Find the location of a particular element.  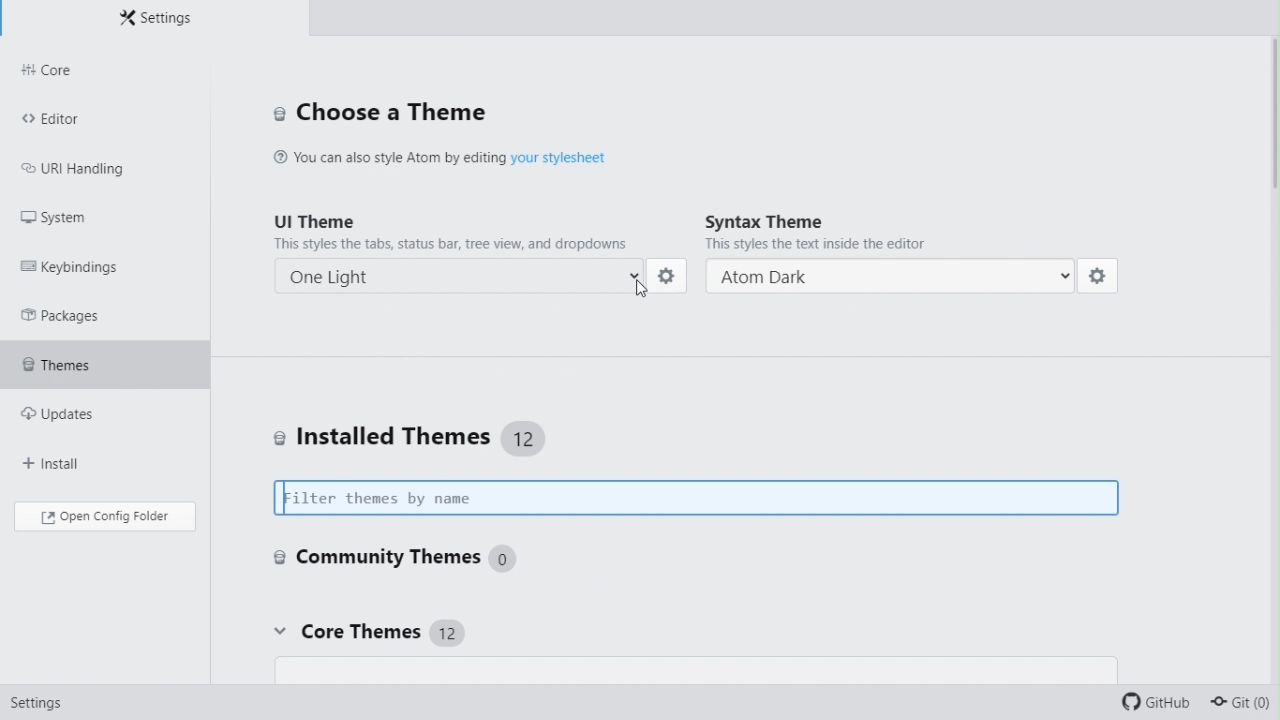

Packages is located at coordinates (67, 316).